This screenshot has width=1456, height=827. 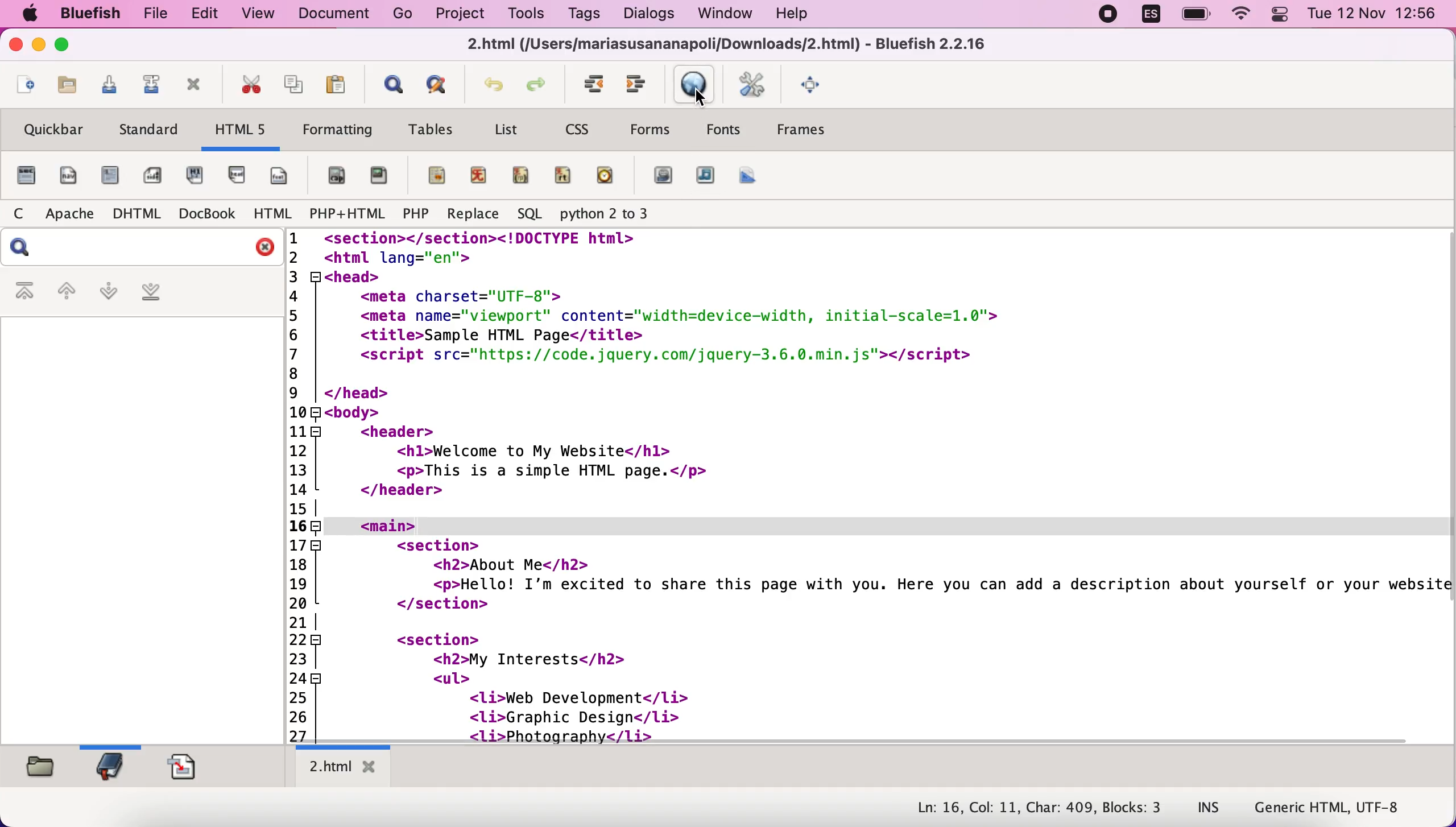 What do you see at coordinates (818, 127) in the screenshot?
I see `frames` at bounding box center [818, 127].